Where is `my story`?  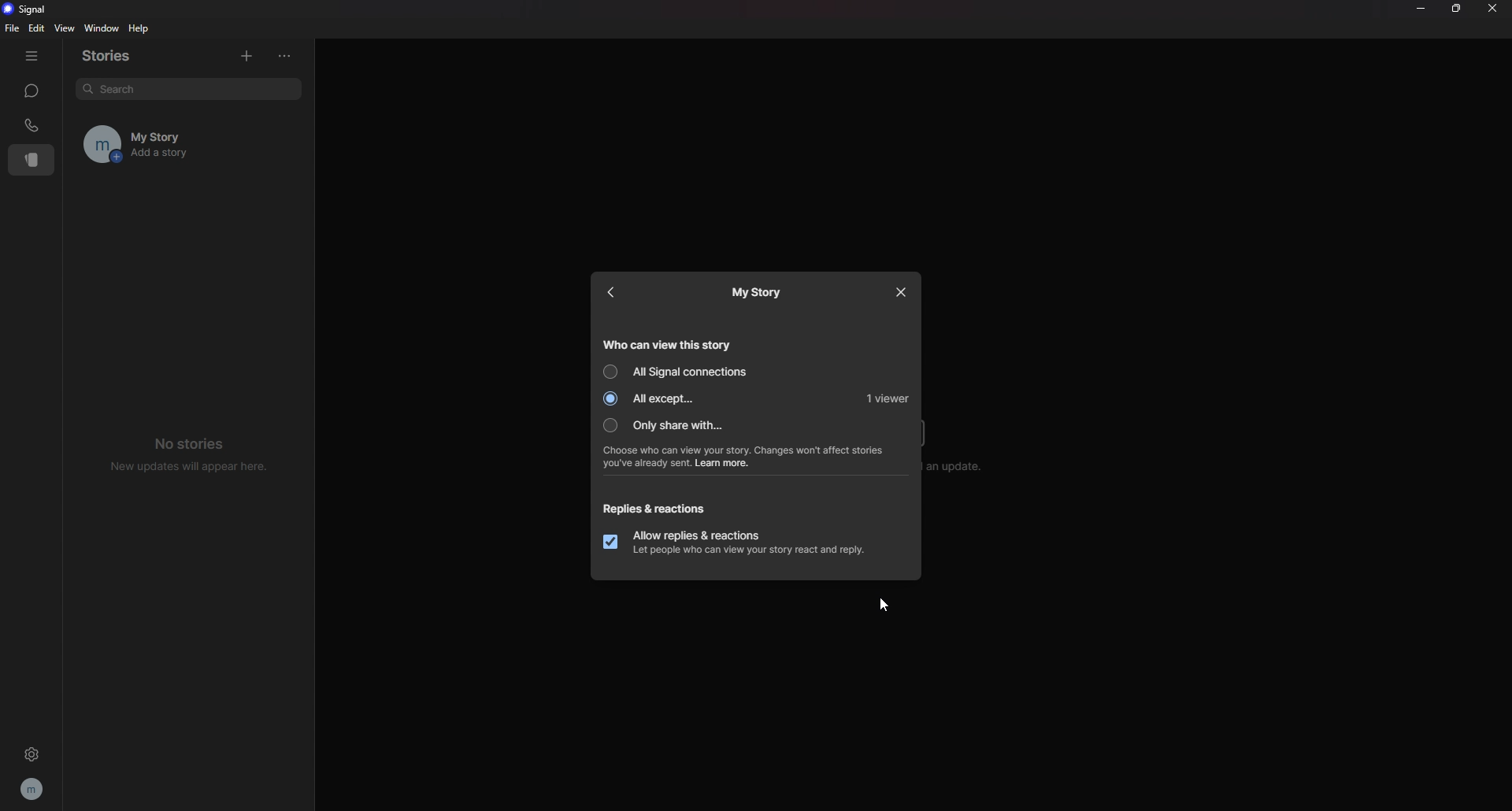
my story is located at coordinates (761, 291).